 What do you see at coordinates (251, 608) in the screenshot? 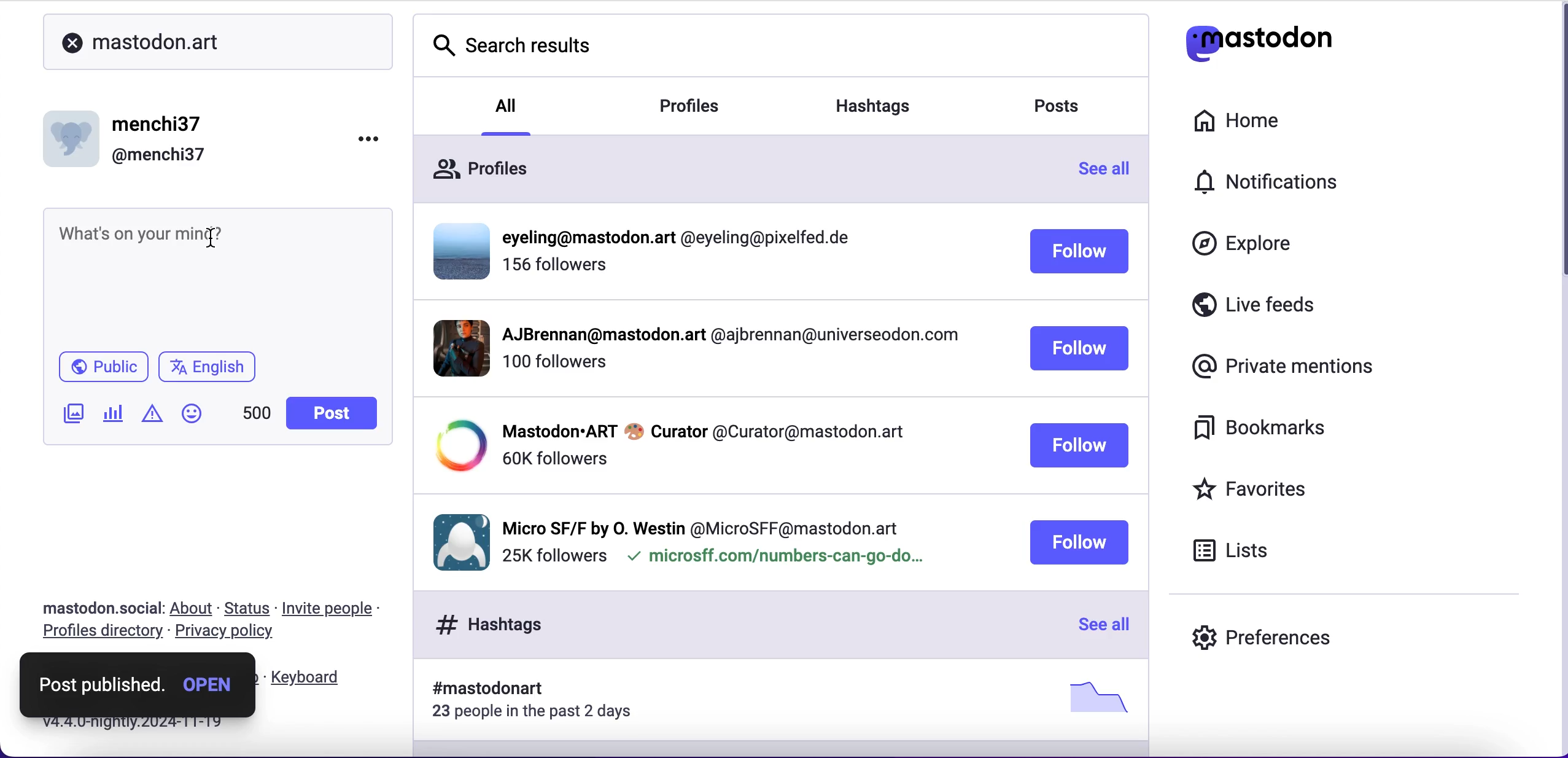
I see `status` at bounding box center [251, 608].